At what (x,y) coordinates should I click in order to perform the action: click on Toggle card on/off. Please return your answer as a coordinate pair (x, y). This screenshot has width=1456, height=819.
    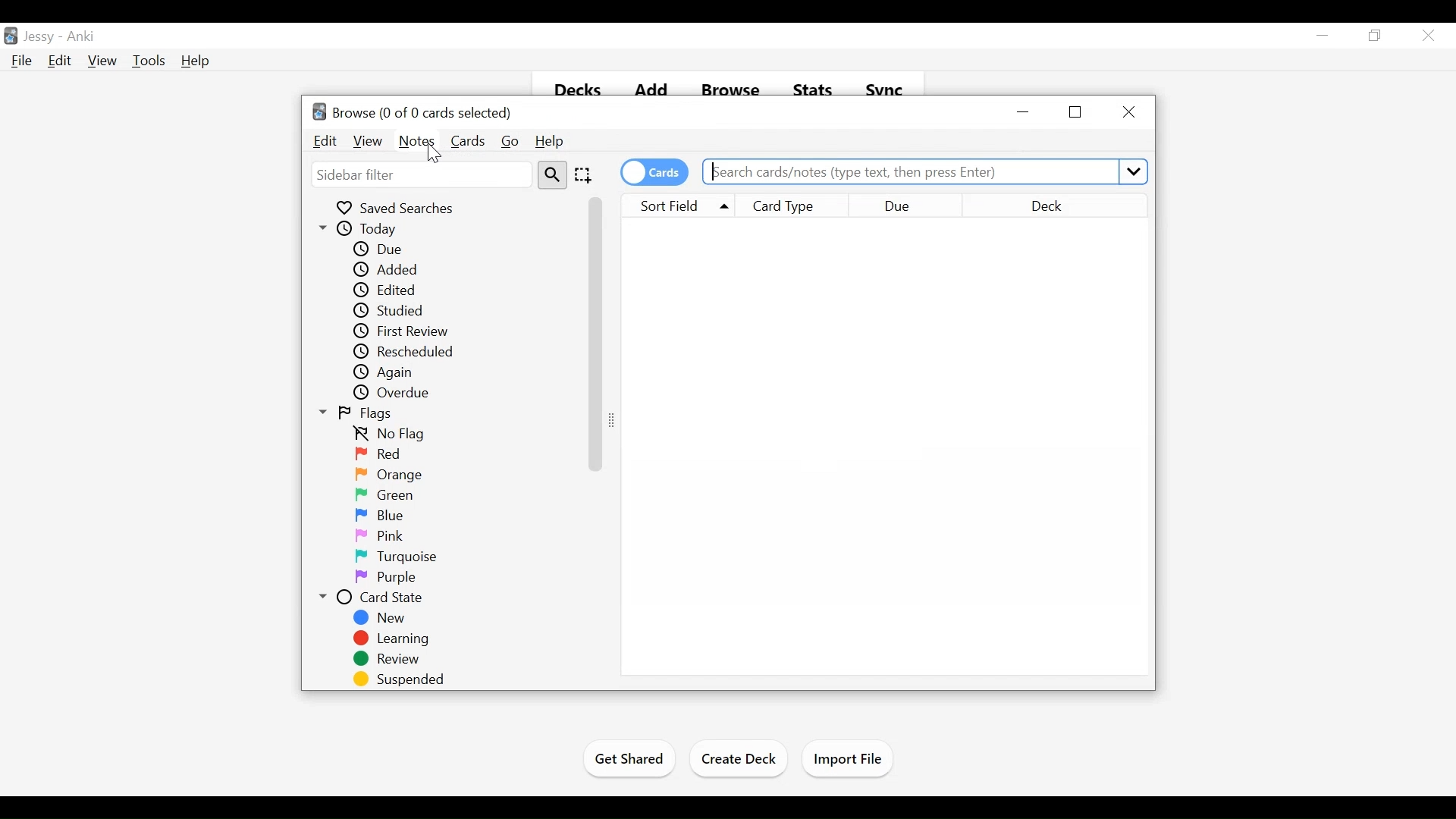
    Looking at the image, I should click on (654, 172).